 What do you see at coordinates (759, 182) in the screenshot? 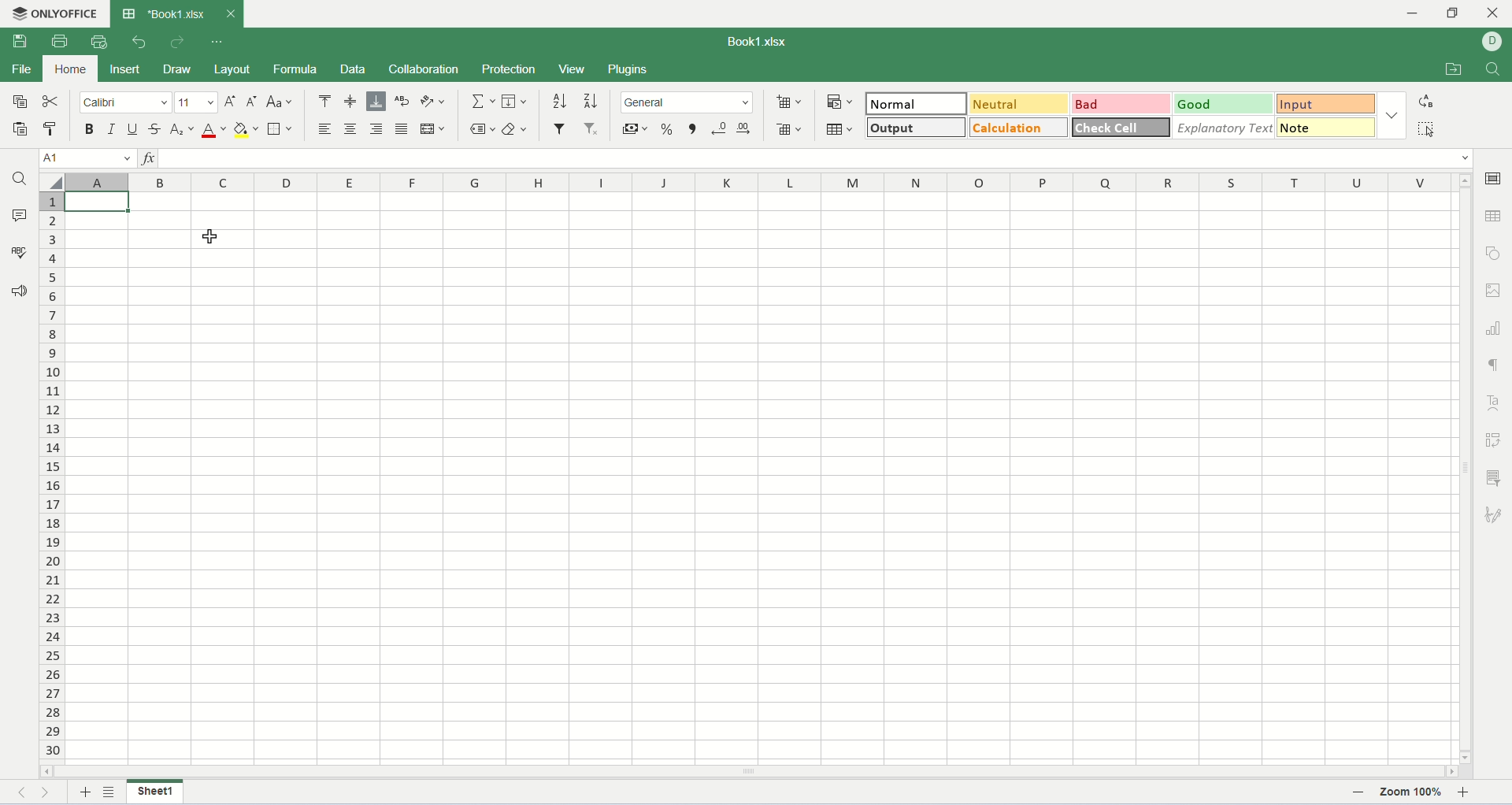
I see `column name` at bounding box center [759, 182].